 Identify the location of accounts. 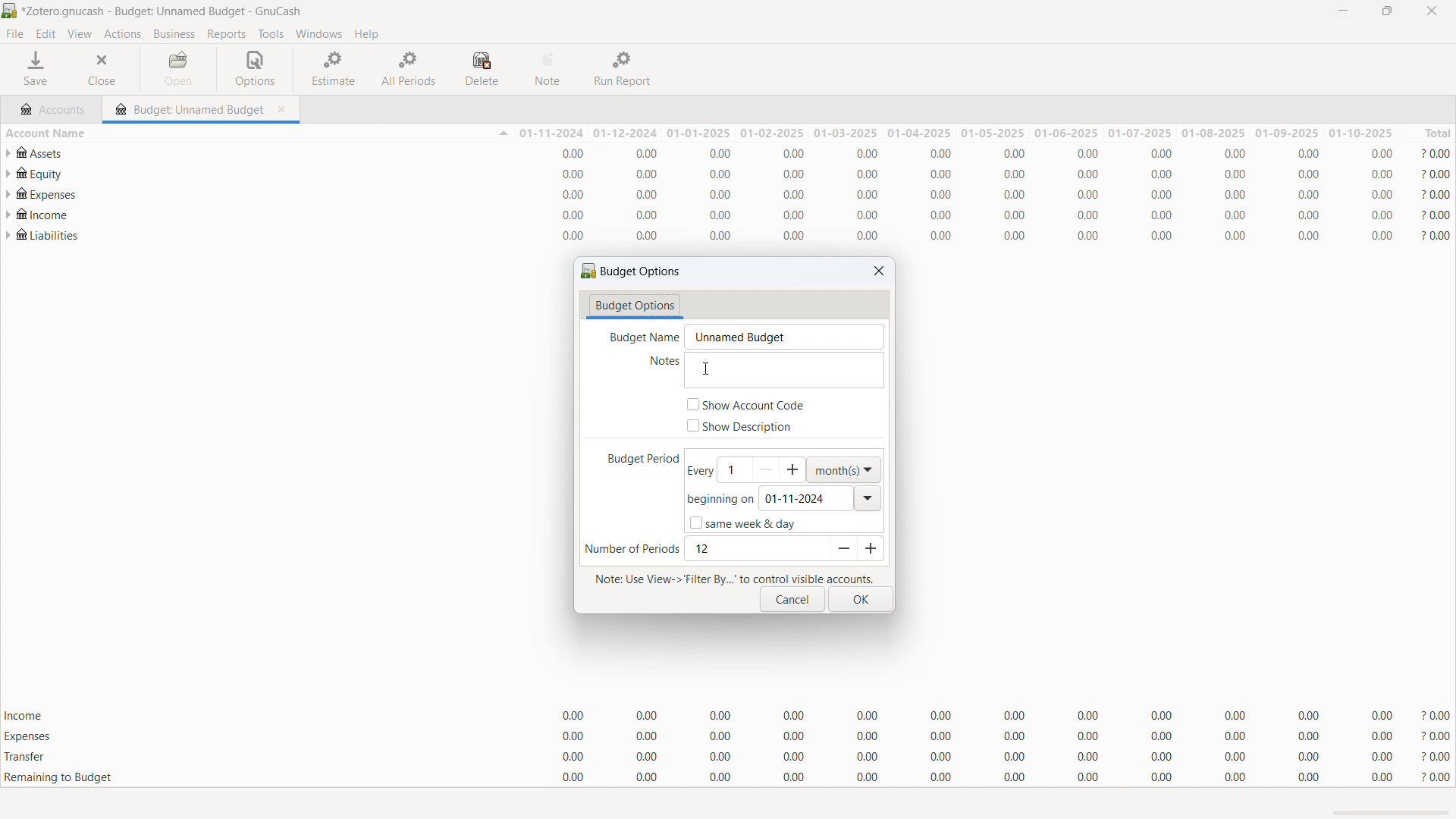
(52, 107).